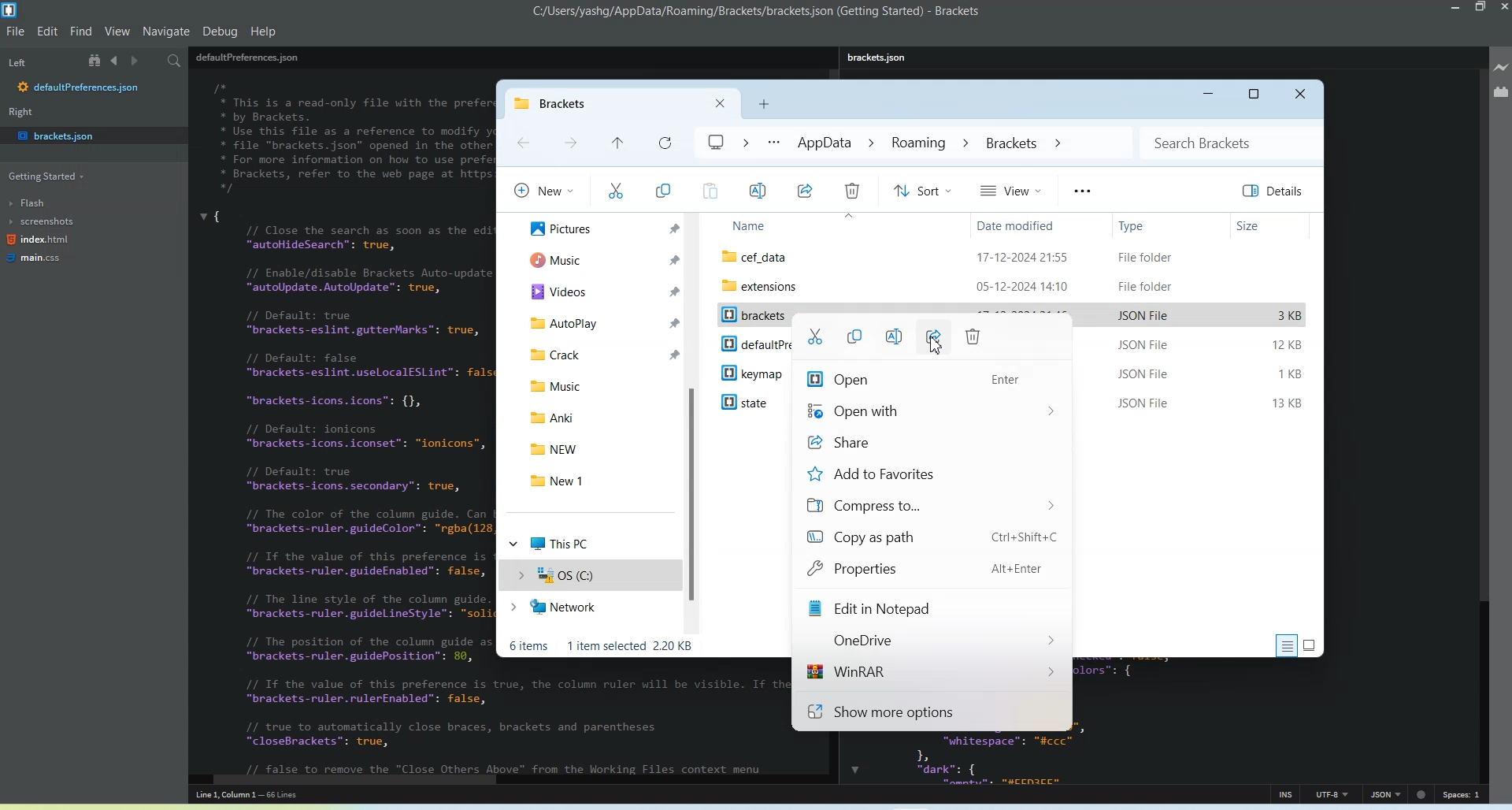 Image resolution: width=1512 pixels, height=810 pixels. What do you see at coordinates (522, 143) in the screenshot?
I see `Go Back` at bounding box center [522, 143].